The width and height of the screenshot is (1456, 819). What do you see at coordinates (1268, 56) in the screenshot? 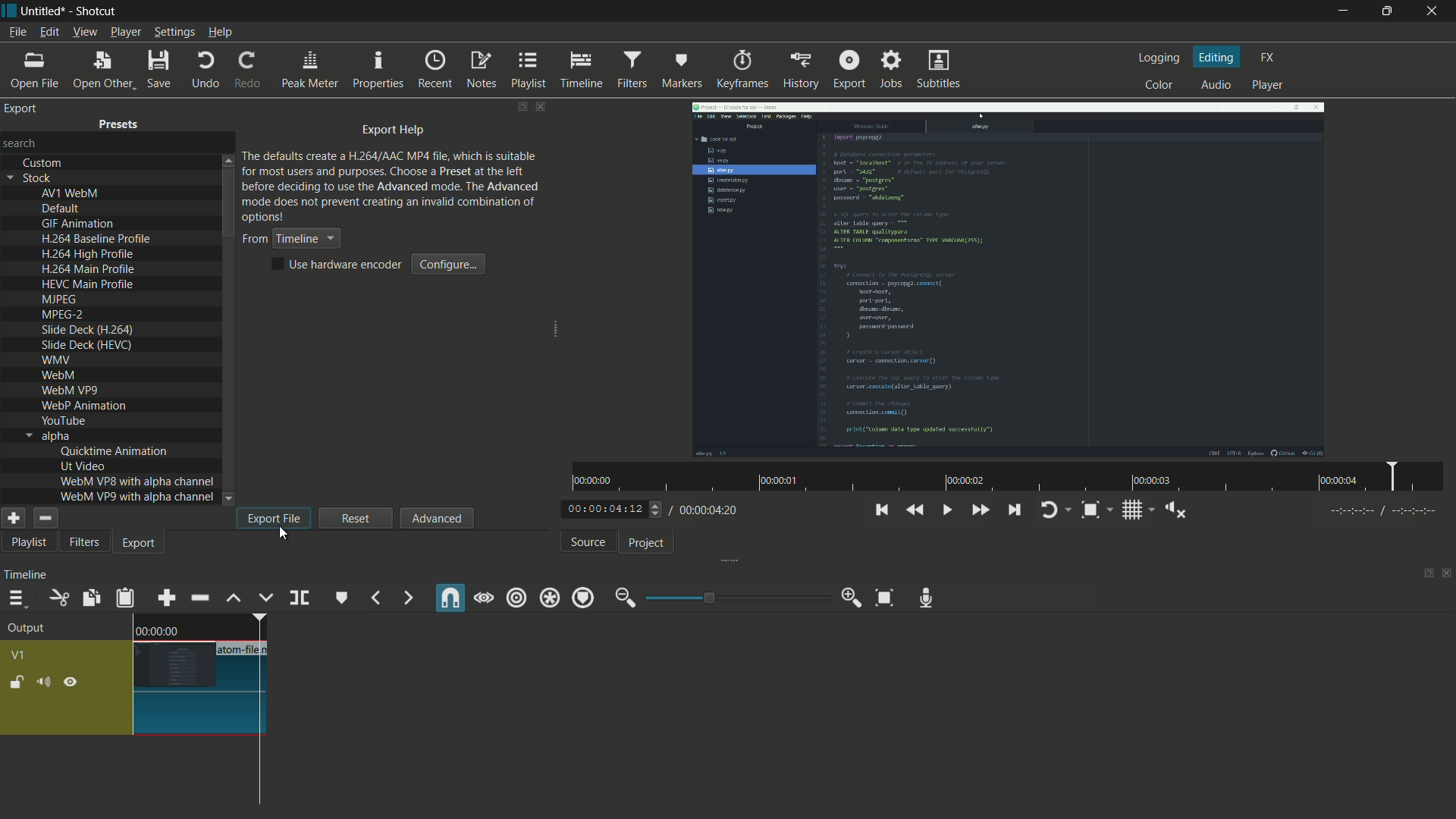
I see `fx` at bounding box center [1268, 56].